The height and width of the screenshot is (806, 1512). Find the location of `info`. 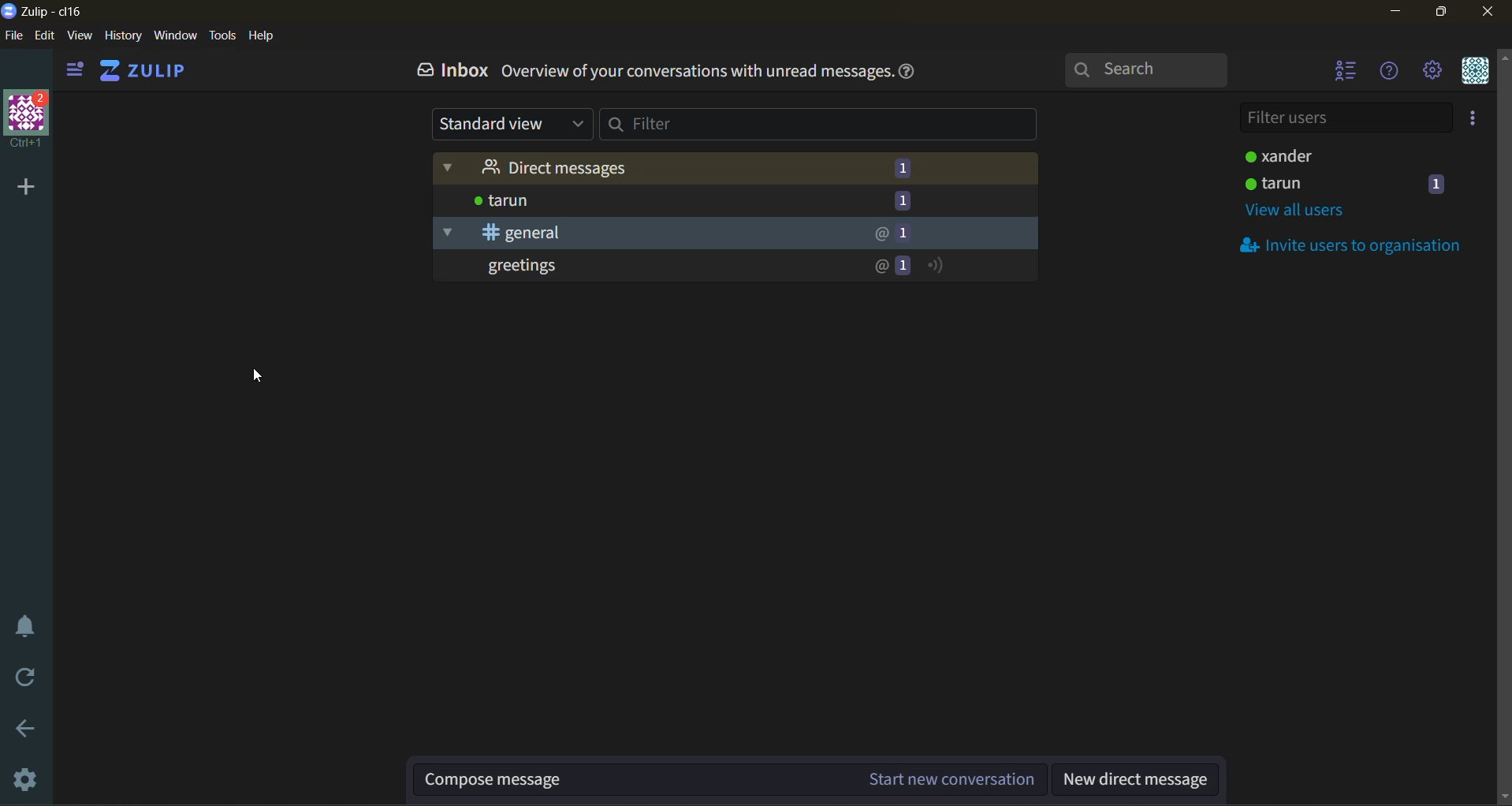

info is located at coordinates (913, 73).